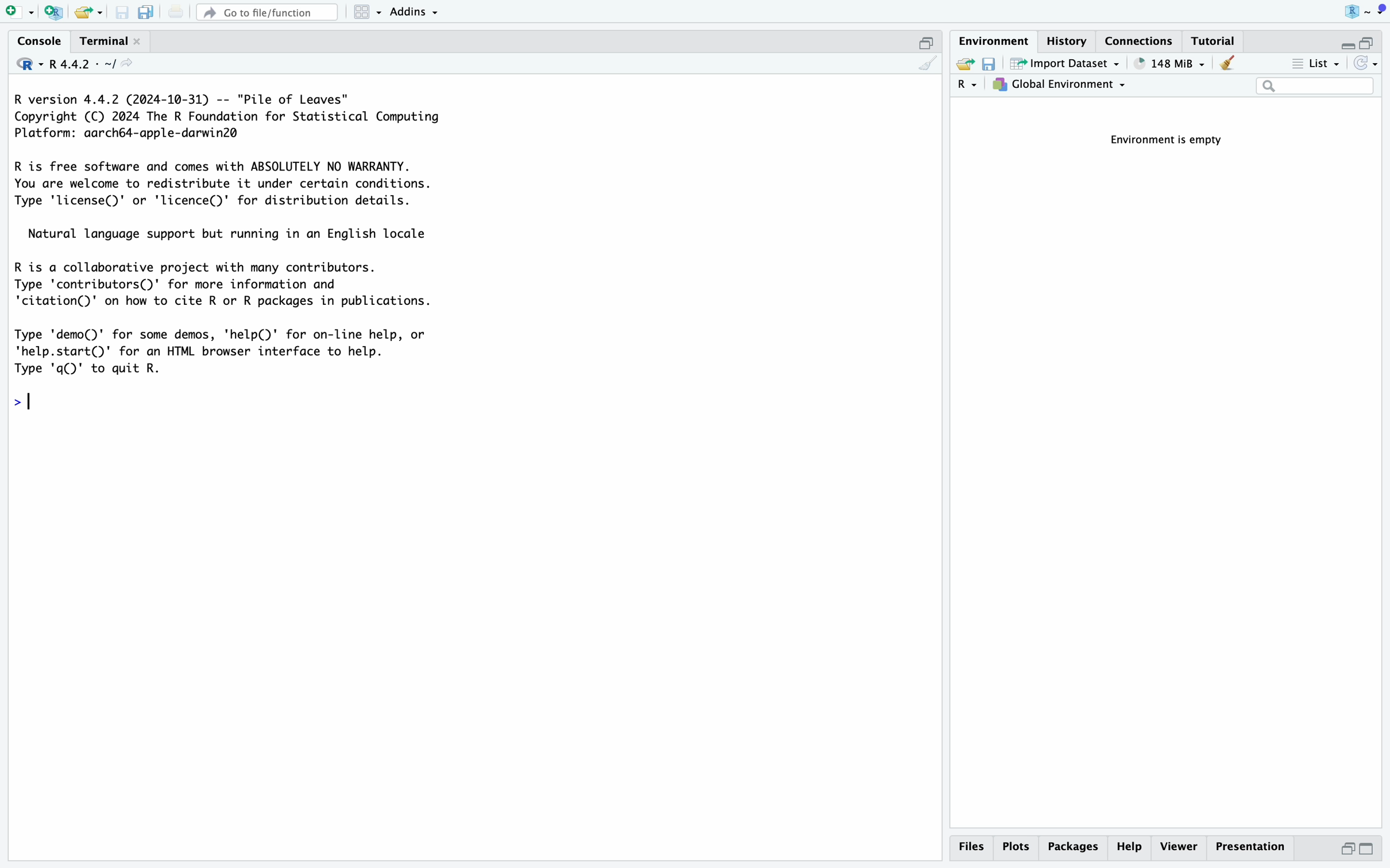  What do you see at coordinates (145, 12) in the screenshot?
I see `save all open documents` at bounding box center [145, 12].